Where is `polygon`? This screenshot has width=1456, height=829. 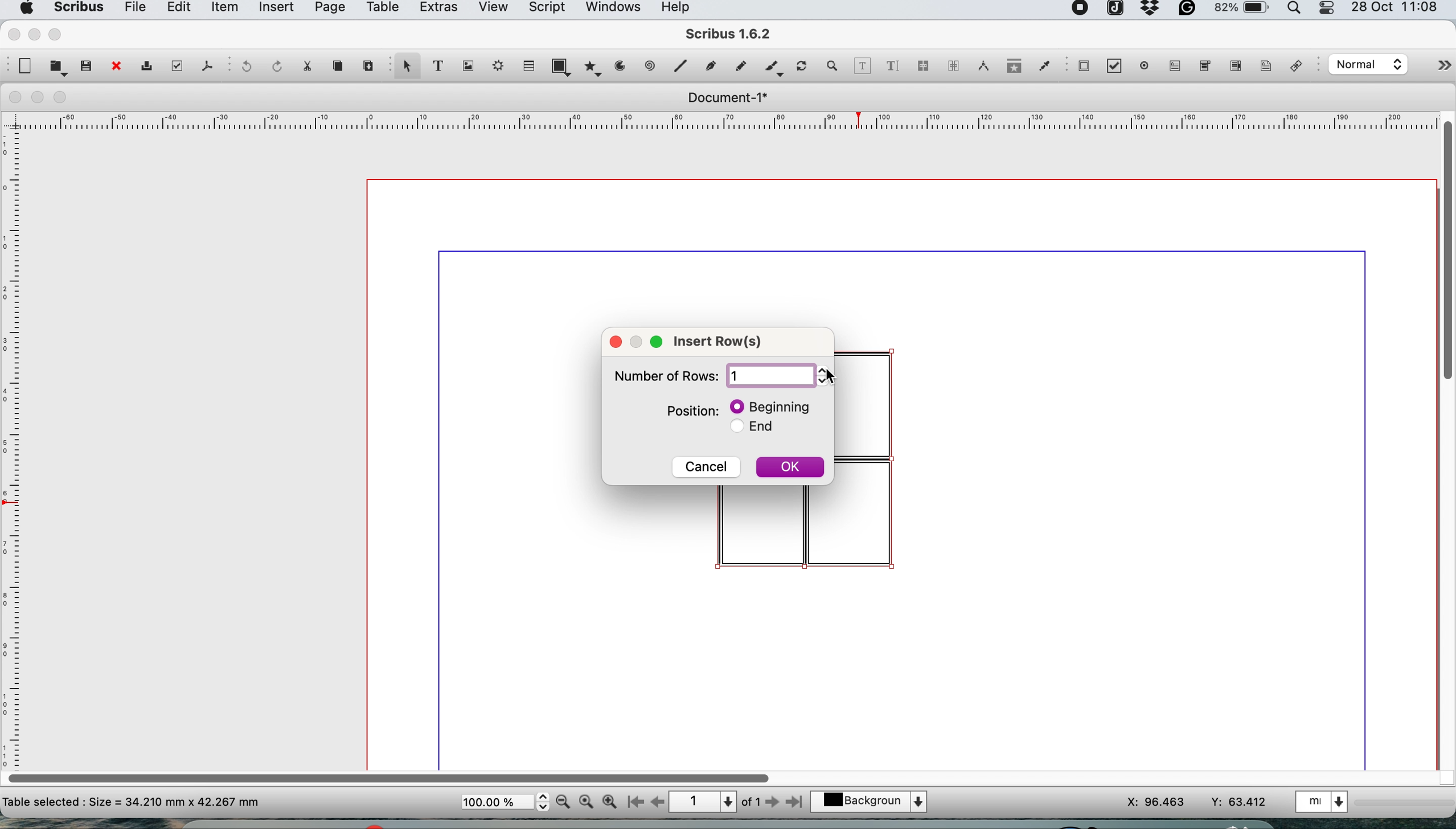
polygon is located at coordinates (595, 66).